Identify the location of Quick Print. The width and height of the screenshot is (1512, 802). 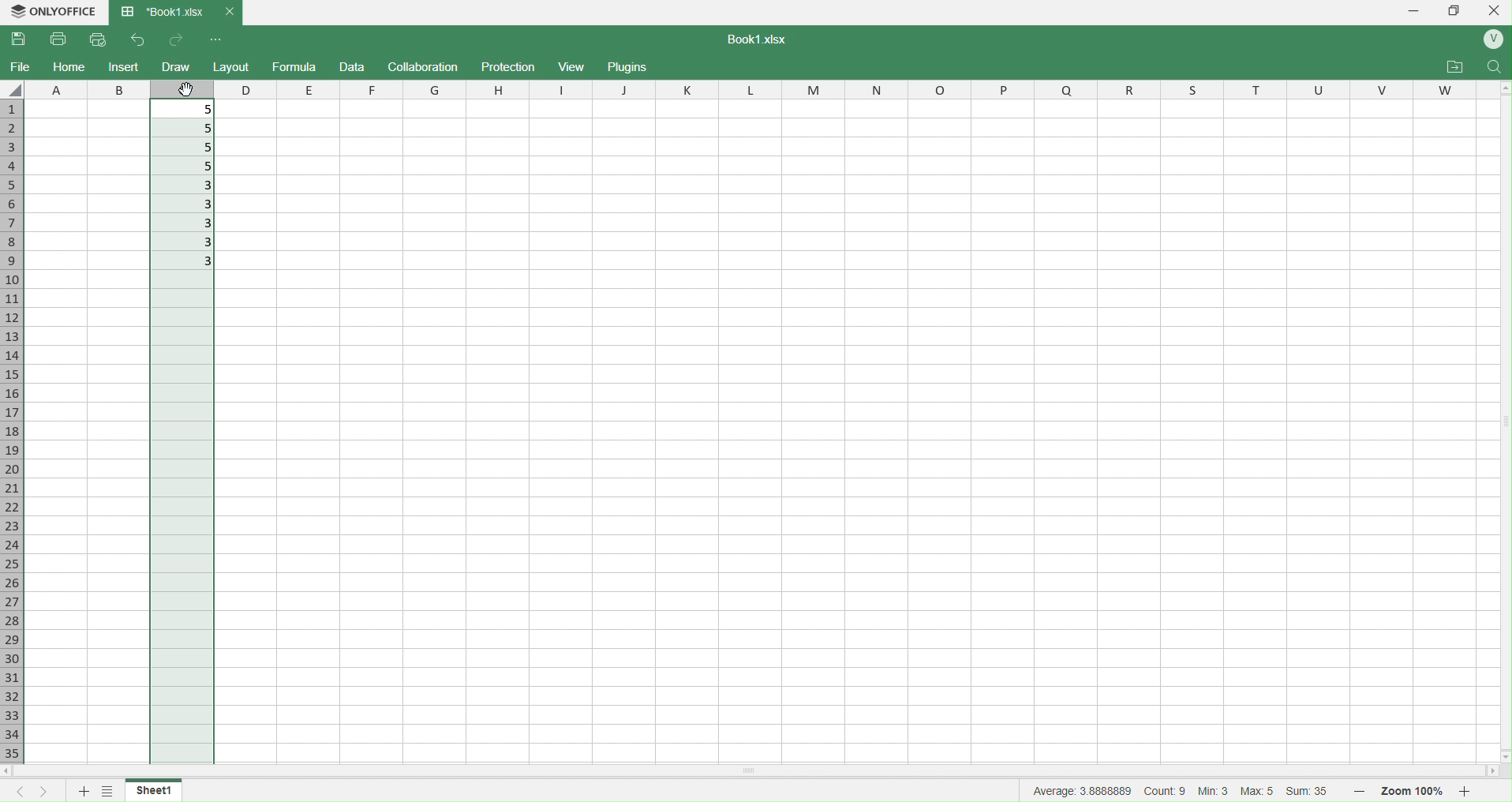
(98, 39).